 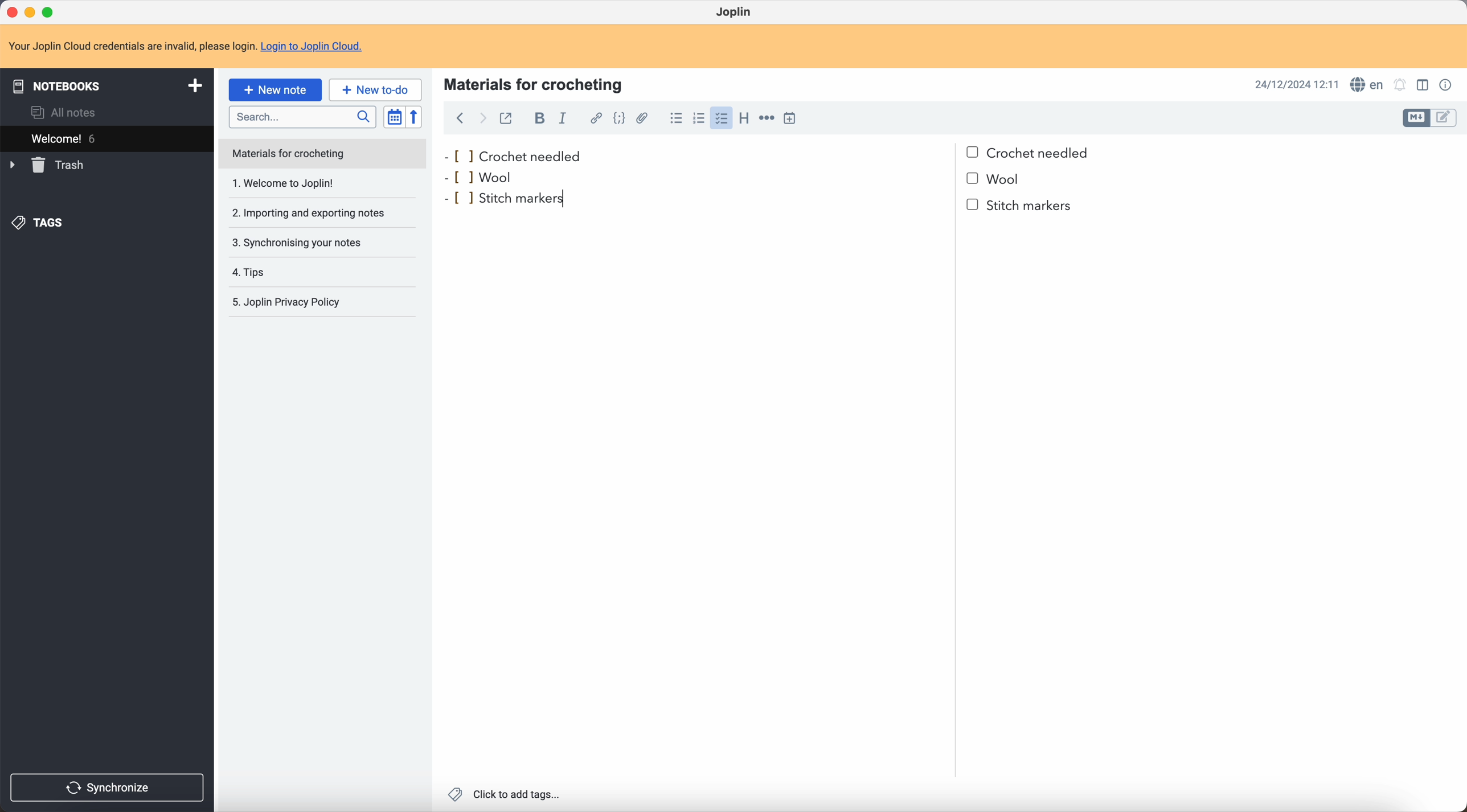 I want to click on spell checker, so click(x=1365, y=84).